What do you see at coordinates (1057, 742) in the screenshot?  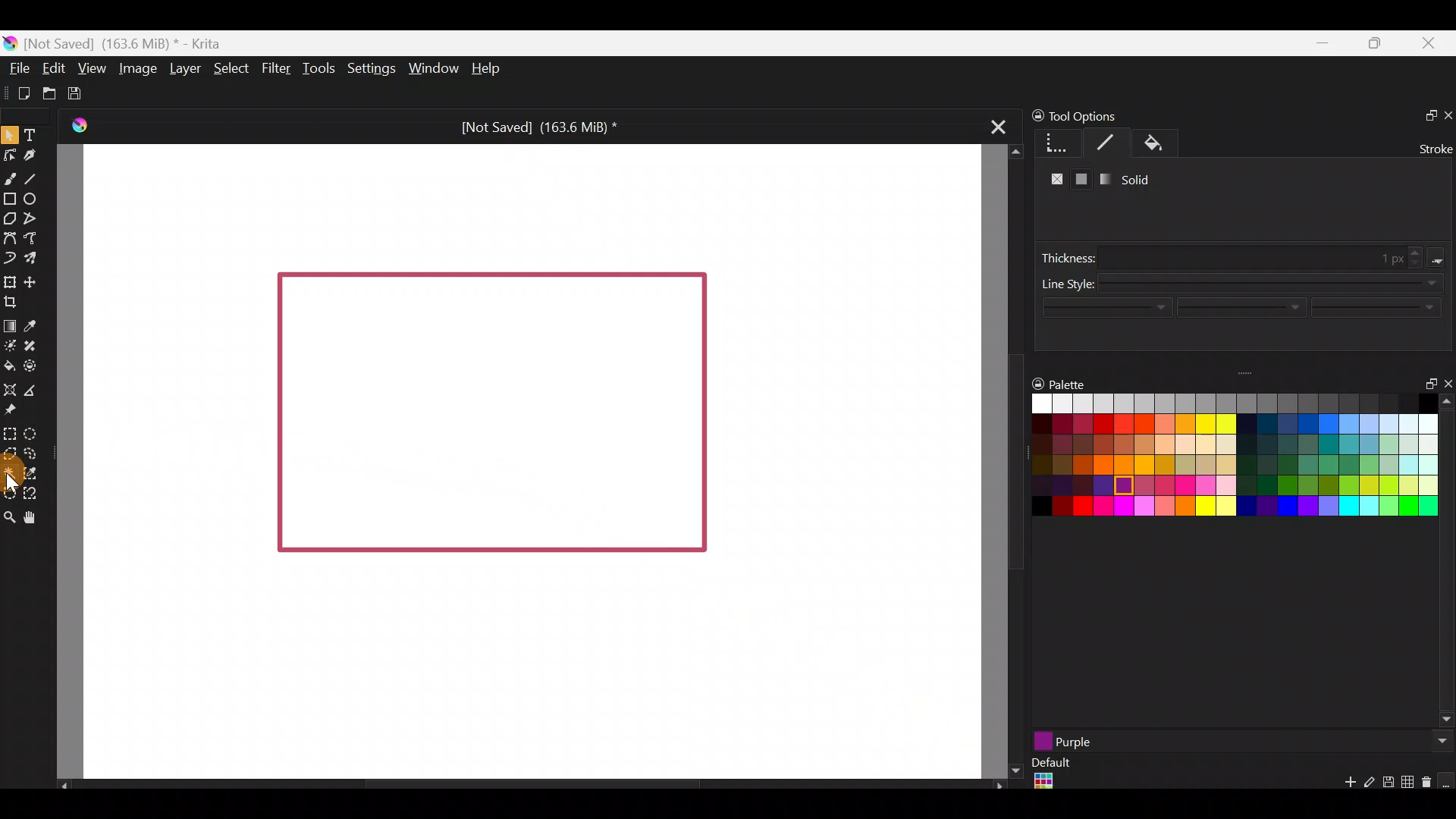 I see `Purple color` at bounding box center [1057, 742].